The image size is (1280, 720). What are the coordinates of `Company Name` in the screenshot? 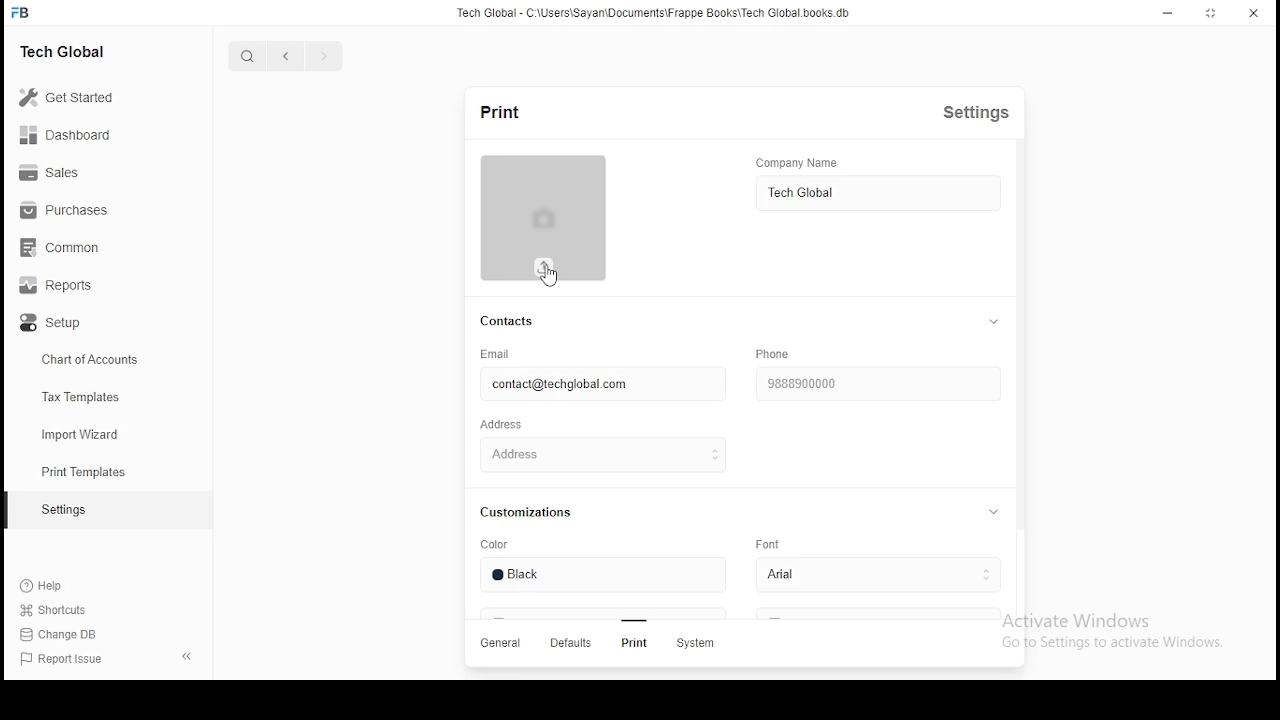 It's located at (828, 163).